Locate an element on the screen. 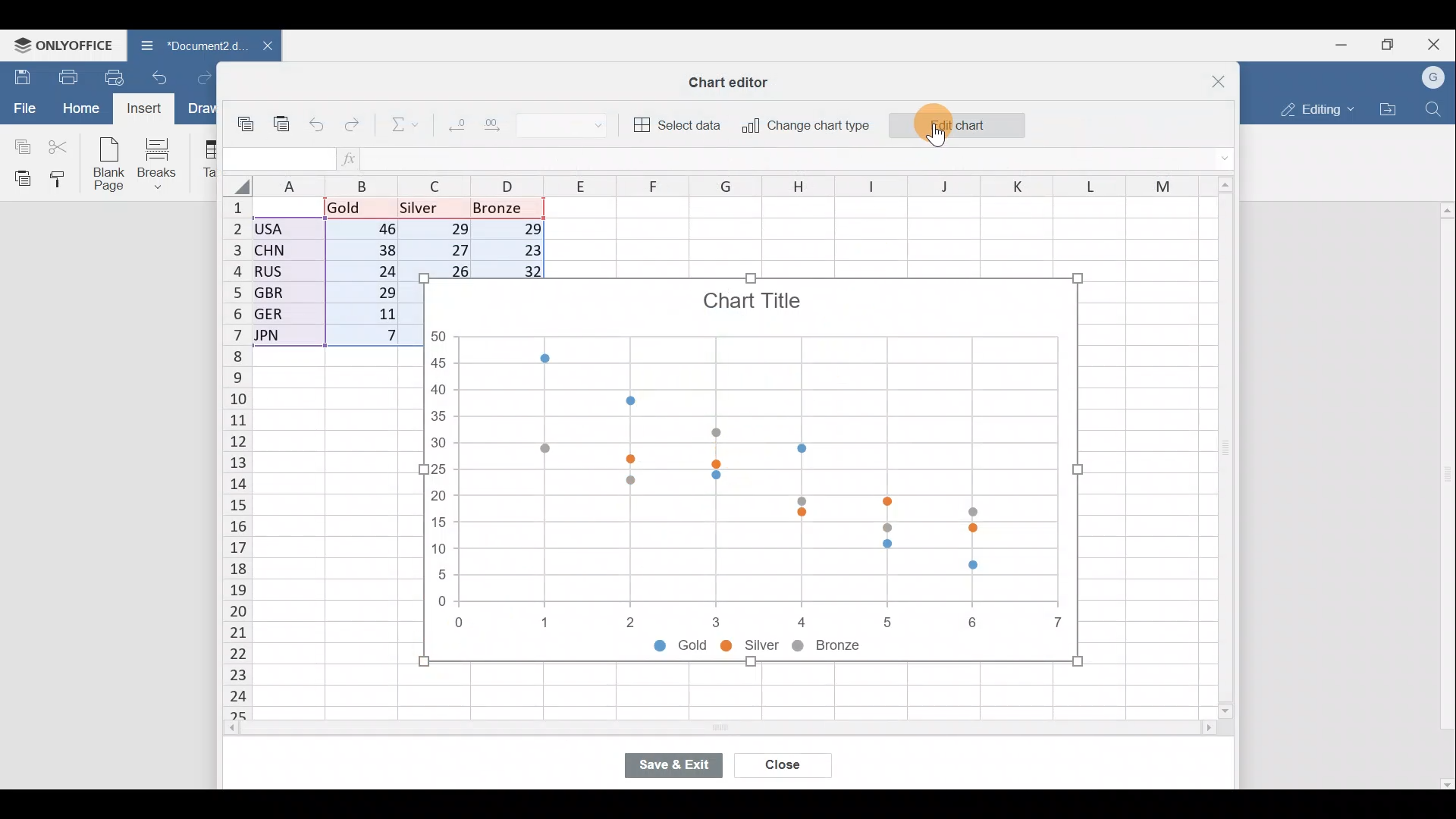  Rows is located at coordinates (231, 462).